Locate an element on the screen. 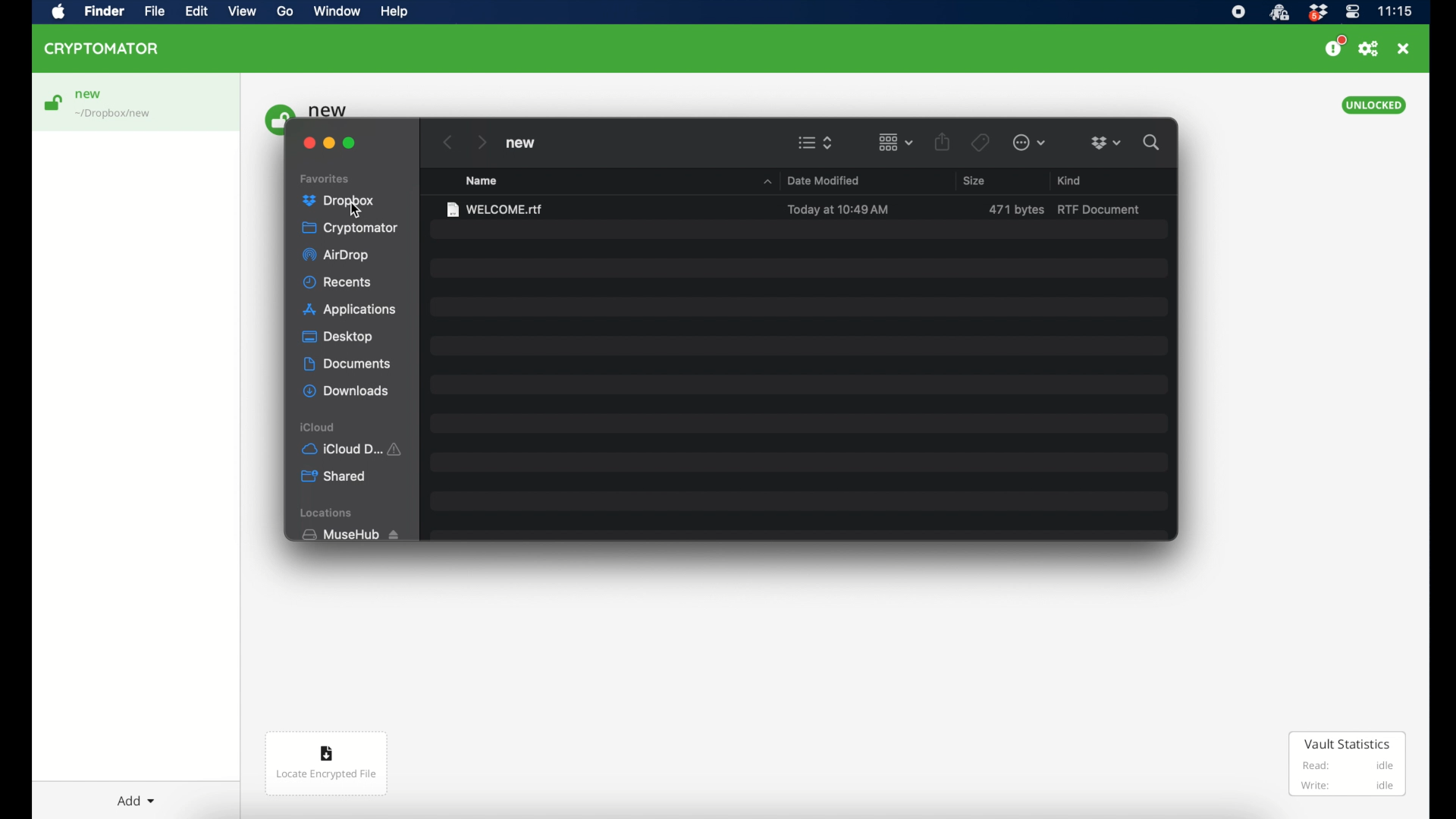 This screenshot has width=1456, height=819. help is located at coordinates (394, 11).